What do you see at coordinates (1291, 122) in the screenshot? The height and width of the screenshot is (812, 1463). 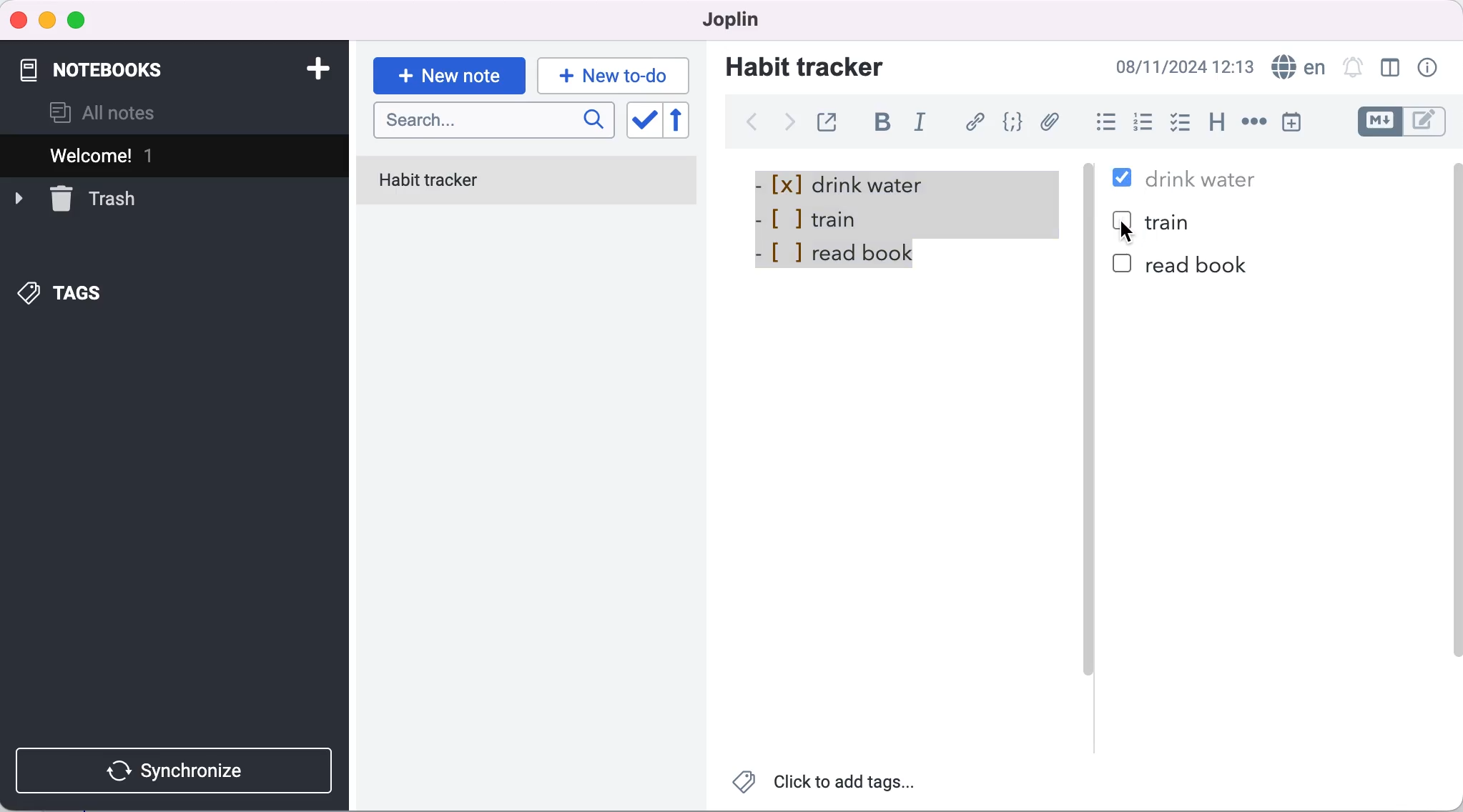 I see `insert time` at bounding box center [1291, 122].